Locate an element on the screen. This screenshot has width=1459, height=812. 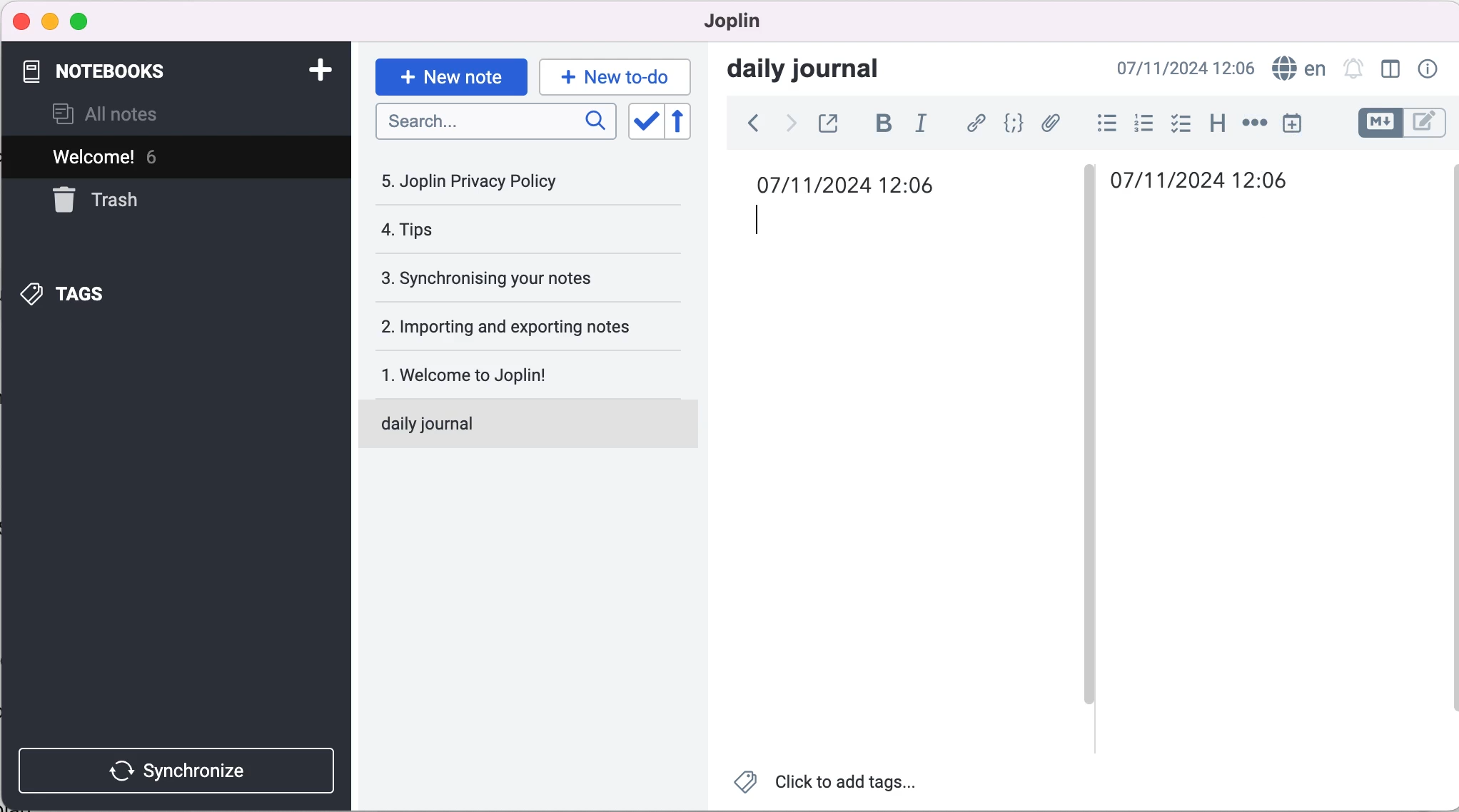
all notes is located at coordinates (118, 116).